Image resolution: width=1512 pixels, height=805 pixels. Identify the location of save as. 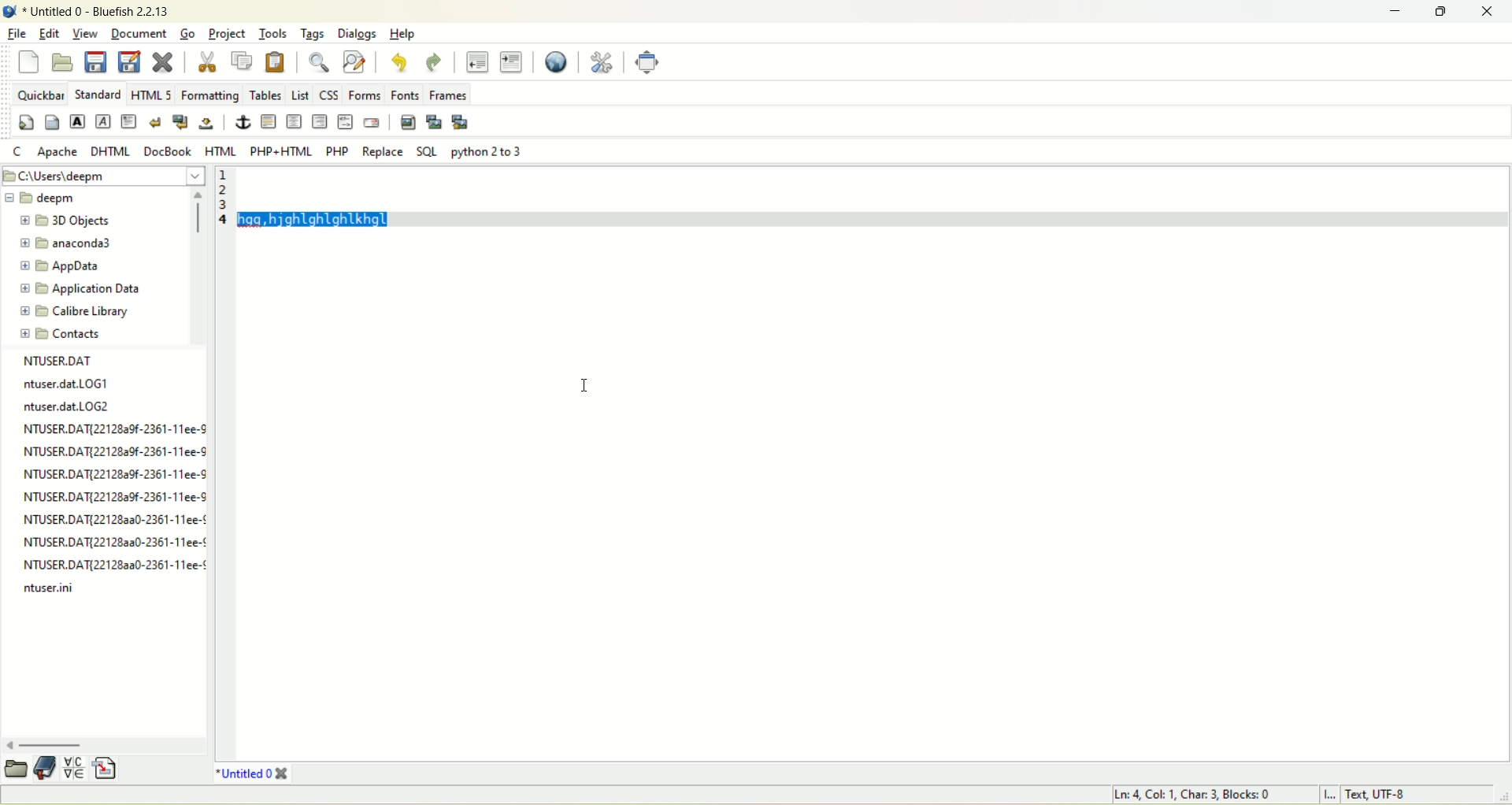
(130, 62).